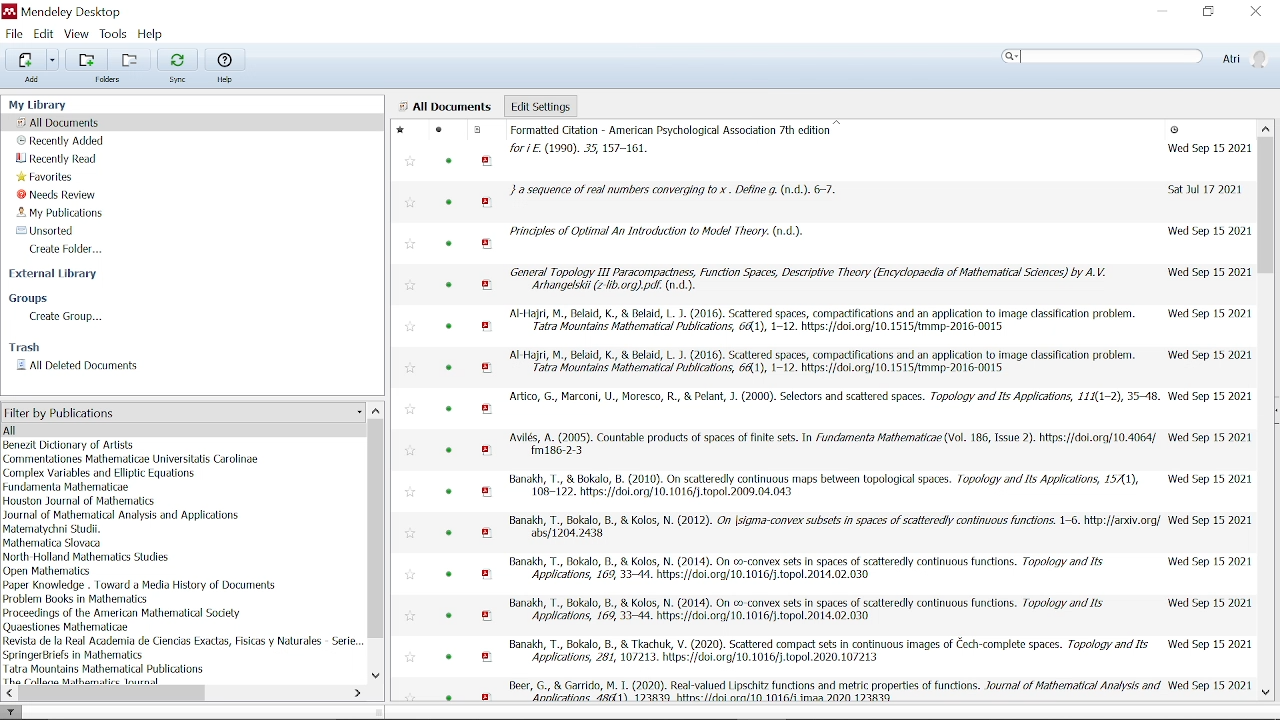 The image size is (1280, 720). I want to click on pdf, so click(488, 574).